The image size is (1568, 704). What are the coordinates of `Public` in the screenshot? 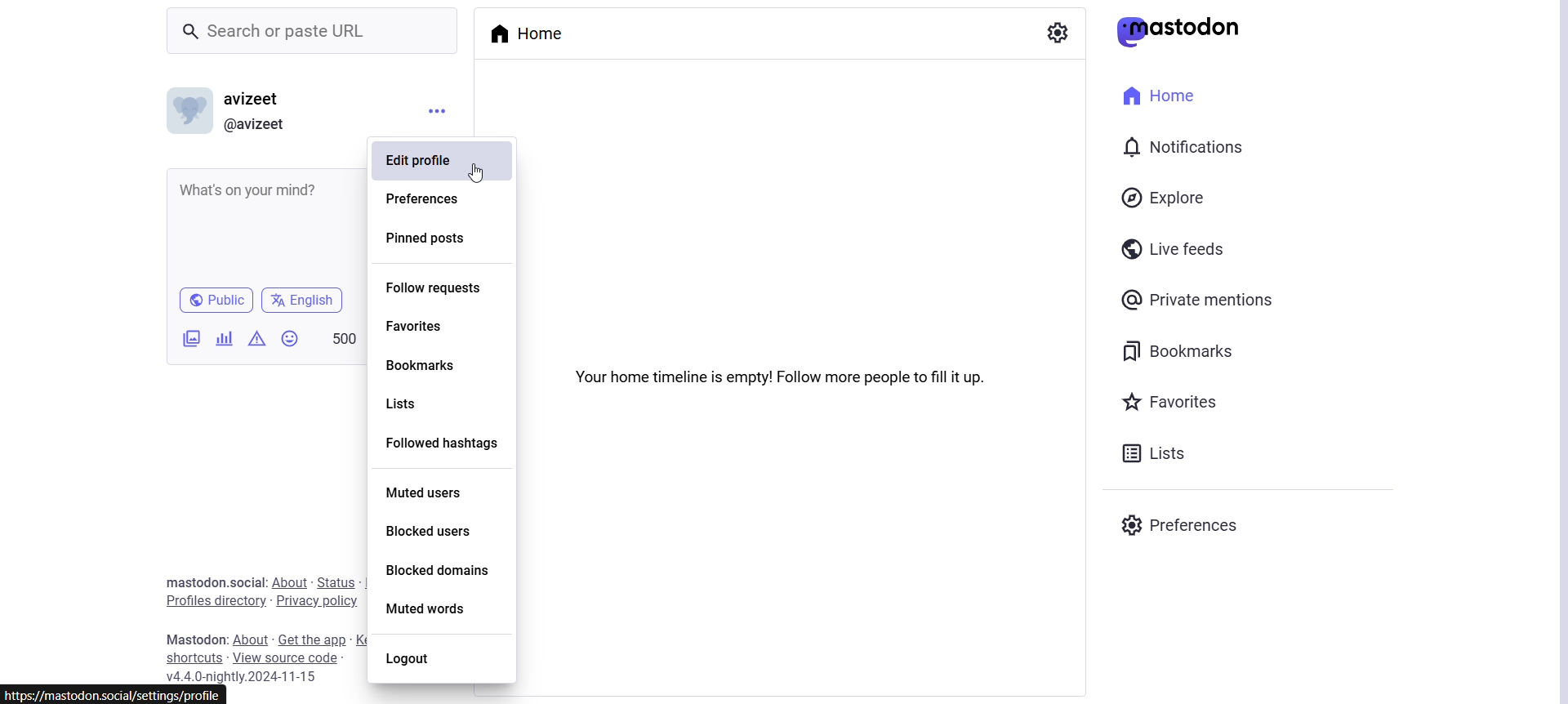 It's located at (216, 300).